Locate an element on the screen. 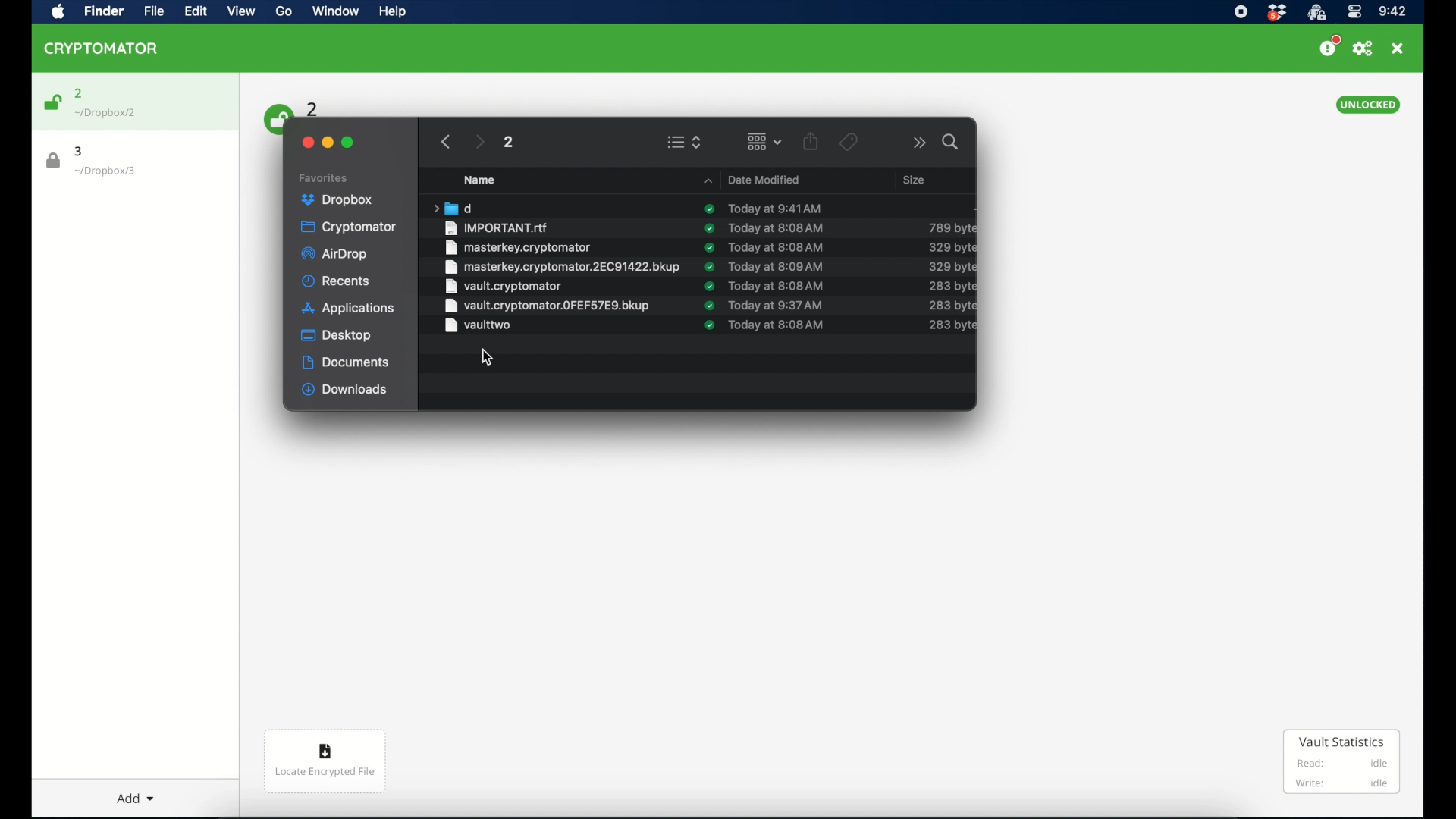  size is located at coordinates (952, 247).